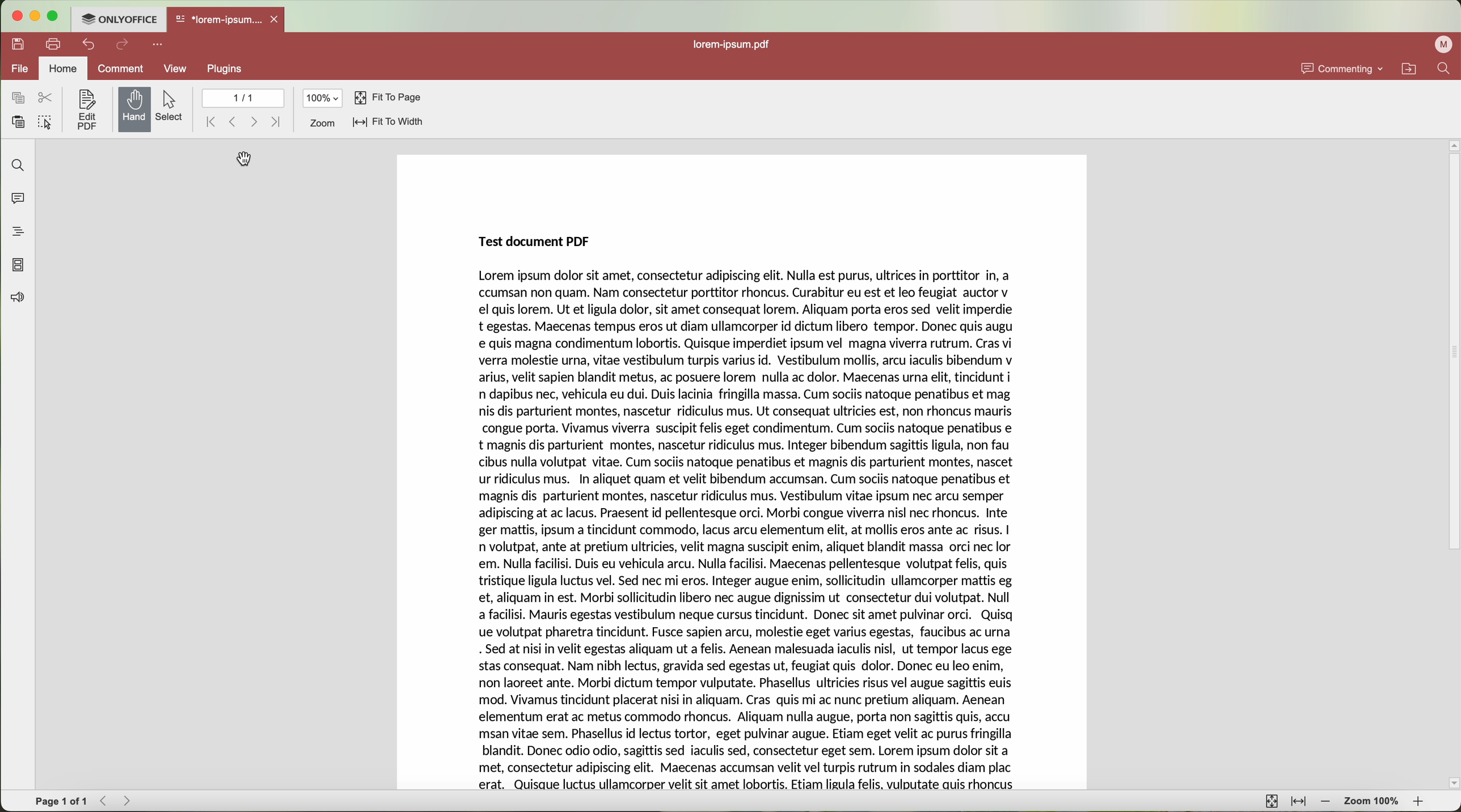 The width and height of the screenshot is (1461, 812). Describe the element at coordinates (1326, 803) in the screenshot. I see `zoom out` at that location.